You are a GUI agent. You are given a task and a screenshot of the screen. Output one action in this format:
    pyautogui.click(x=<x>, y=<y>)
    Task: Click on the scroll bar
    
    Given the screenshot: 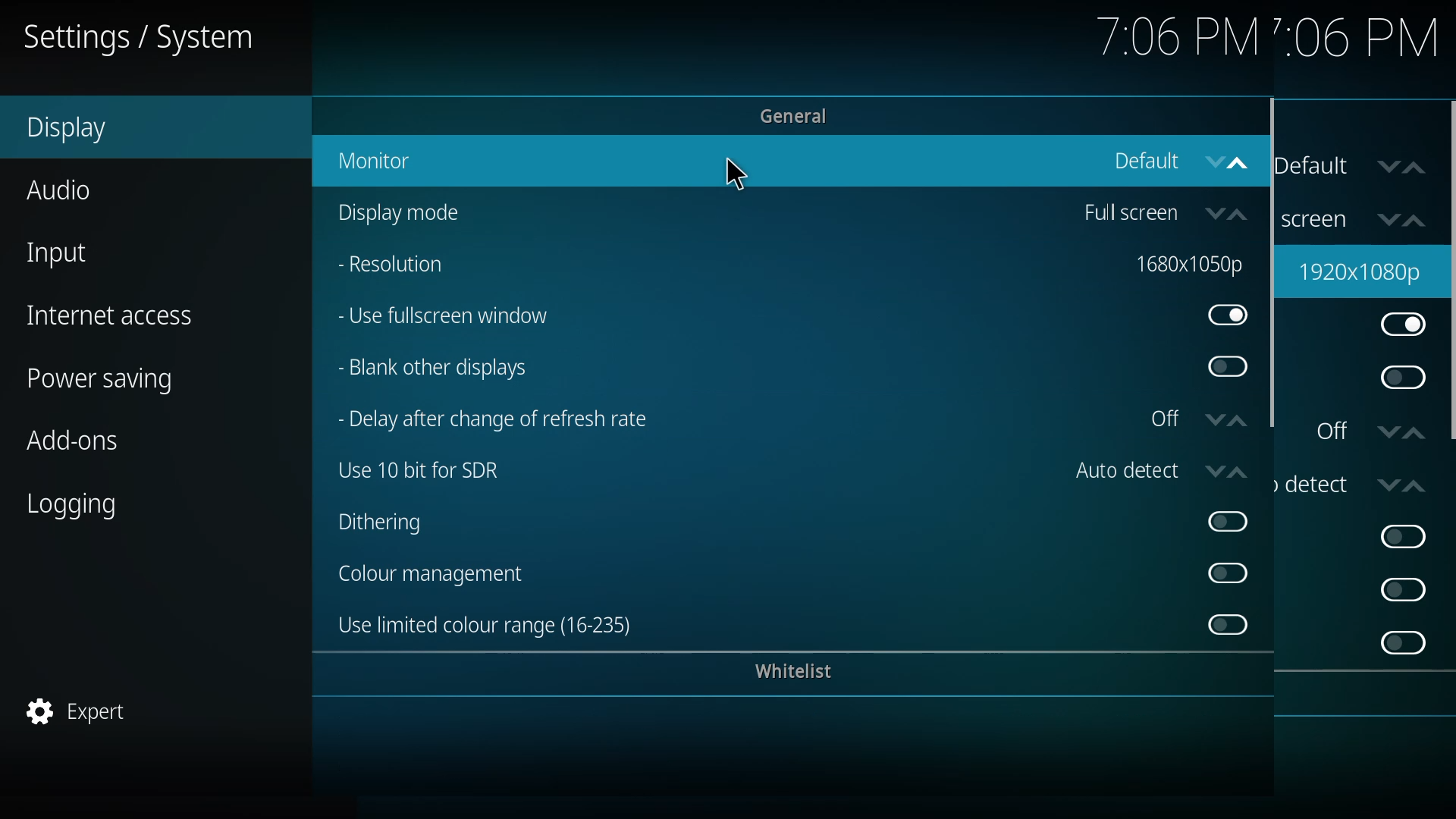 What is the action you would take?
    pyautogui.click(x=1271, y=283)
    